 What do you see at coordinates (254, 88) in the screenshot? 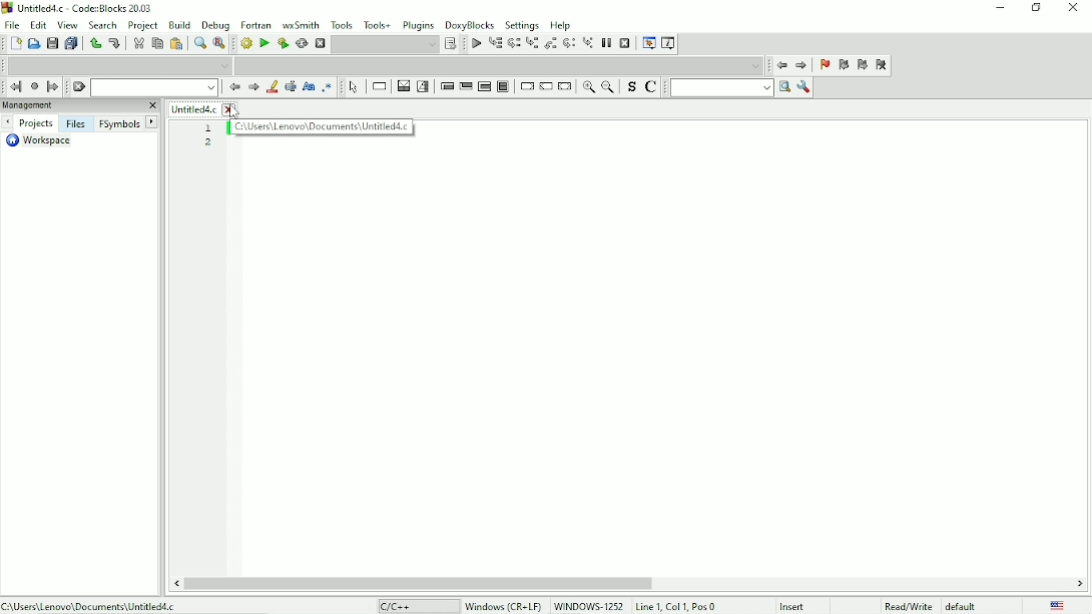
I see `Next` at bounding box center [254, 88].